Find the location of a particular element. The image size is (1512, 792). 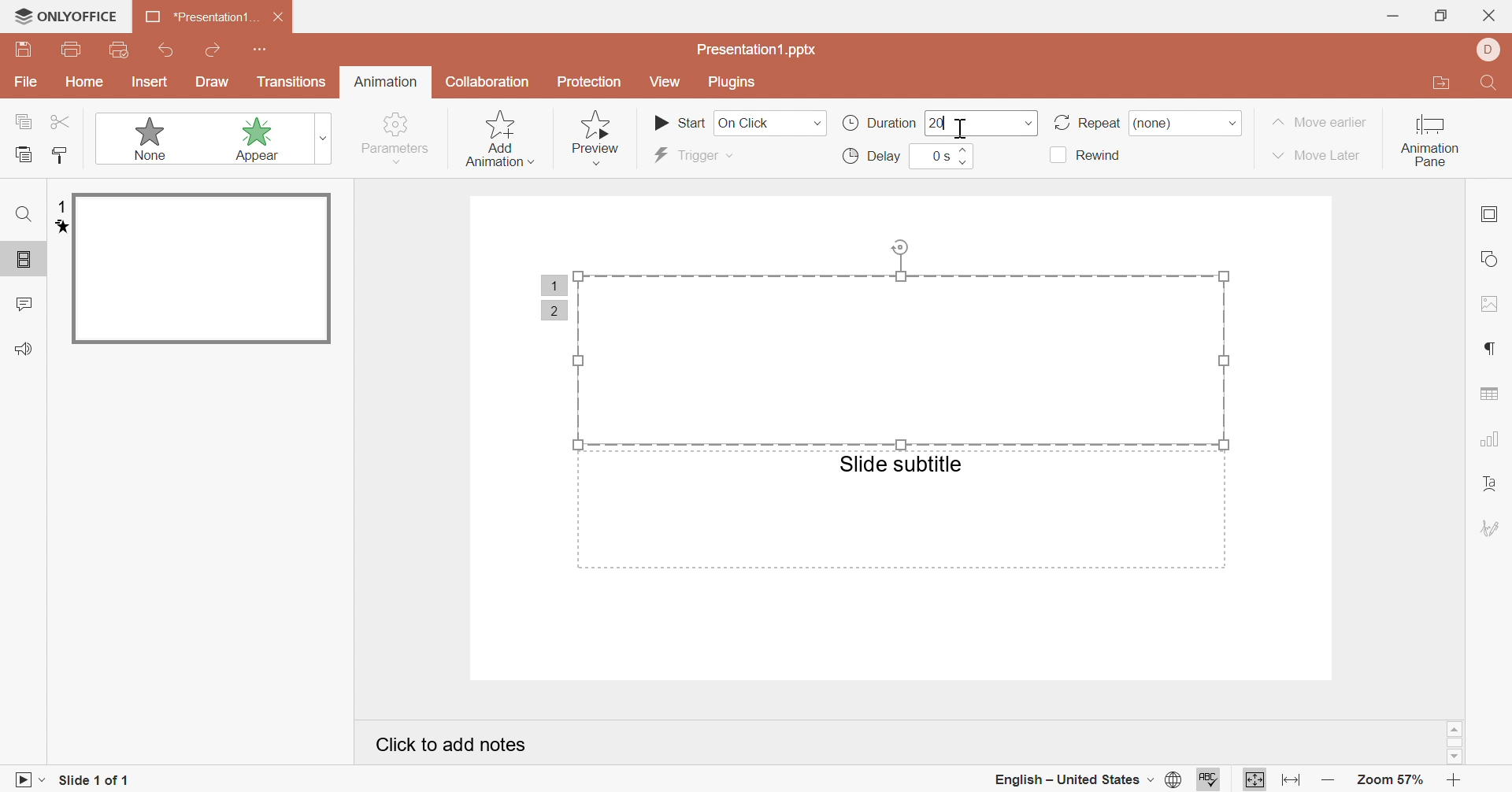

draw is located at coordinates (212, 82).